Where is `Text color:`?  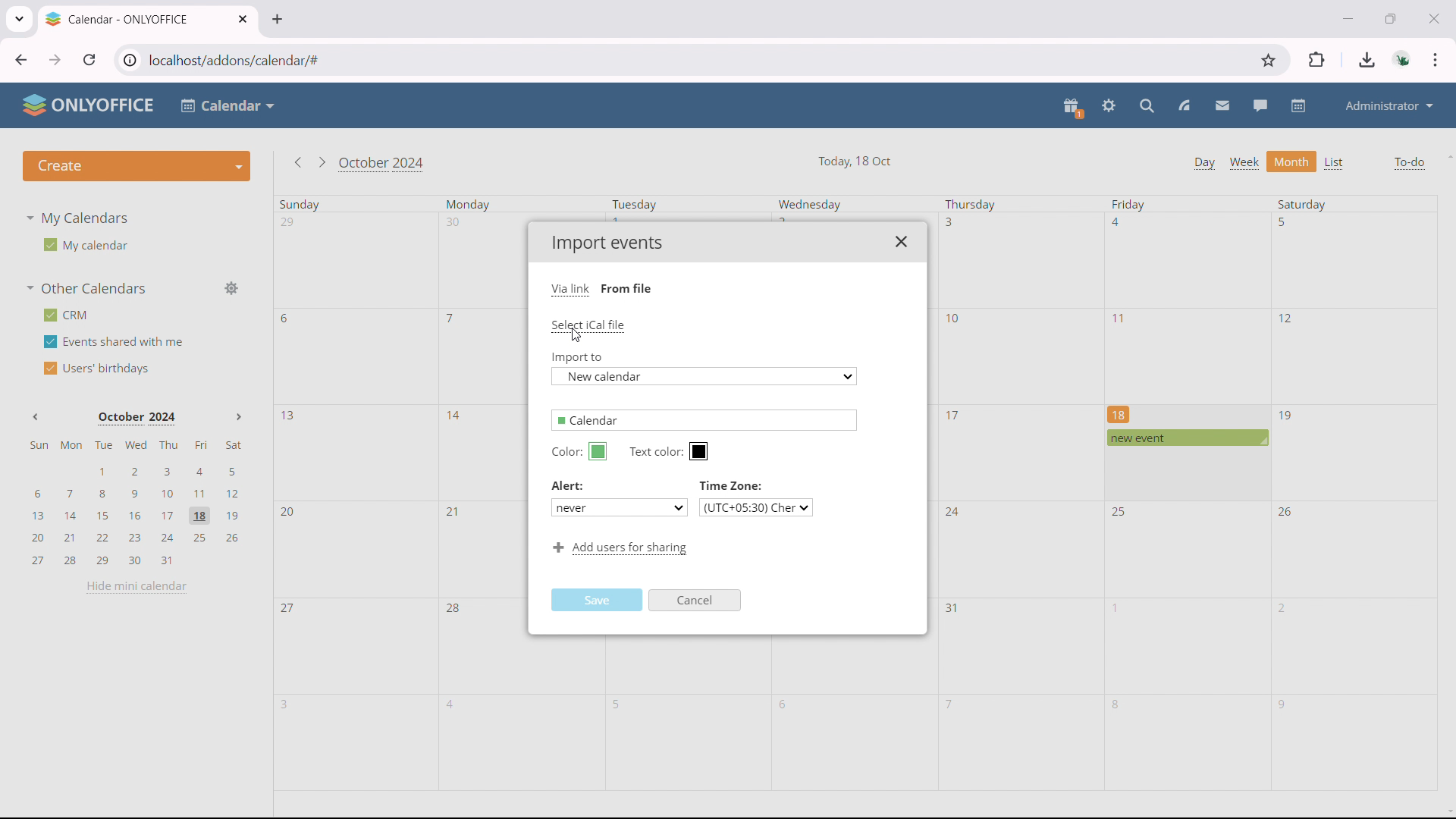 Text color: is located at coordinates (672, 452).